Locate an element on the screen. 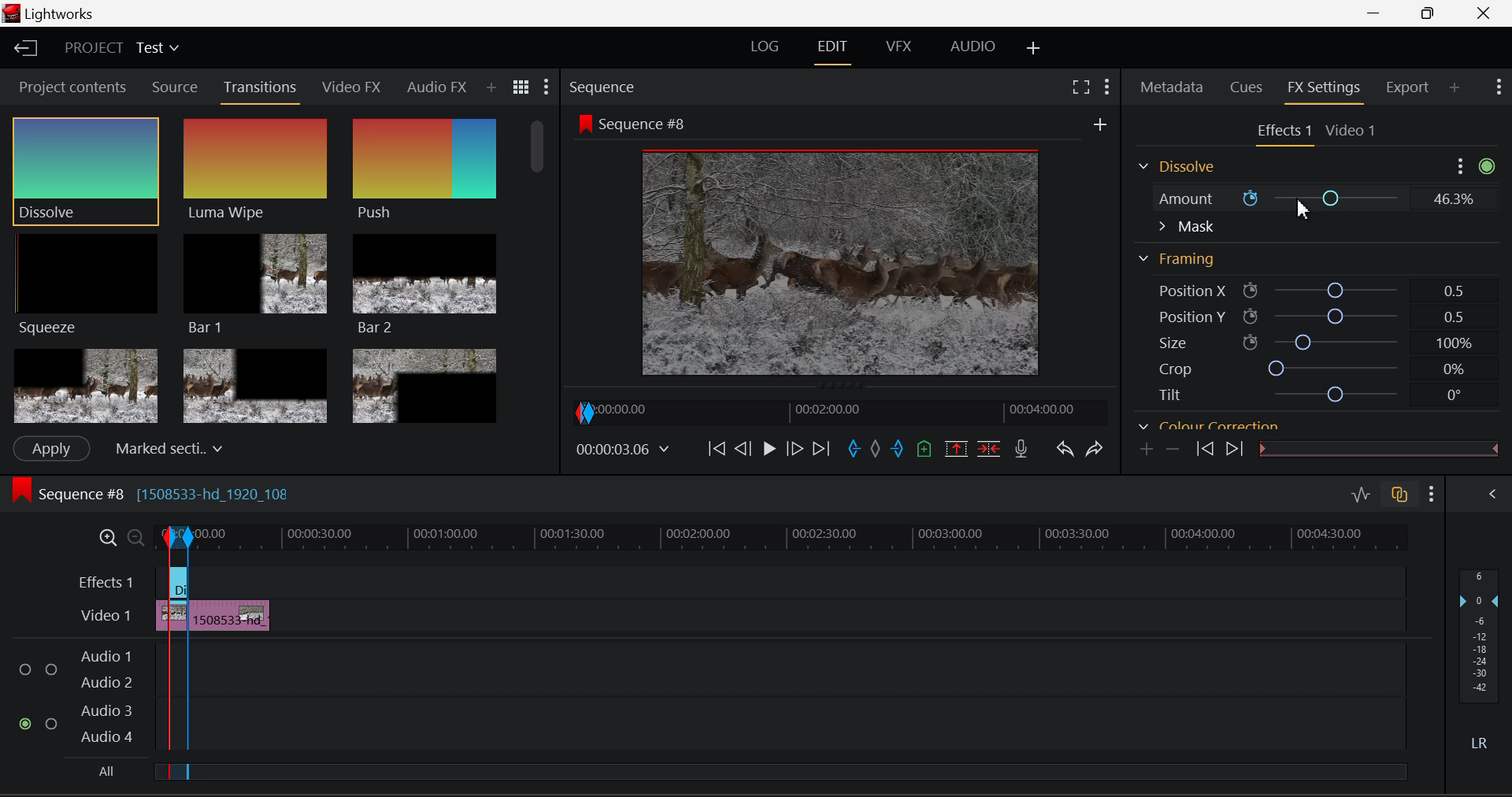 The image size is (1512, 797). Go Back is located at coordinates (743, 450).